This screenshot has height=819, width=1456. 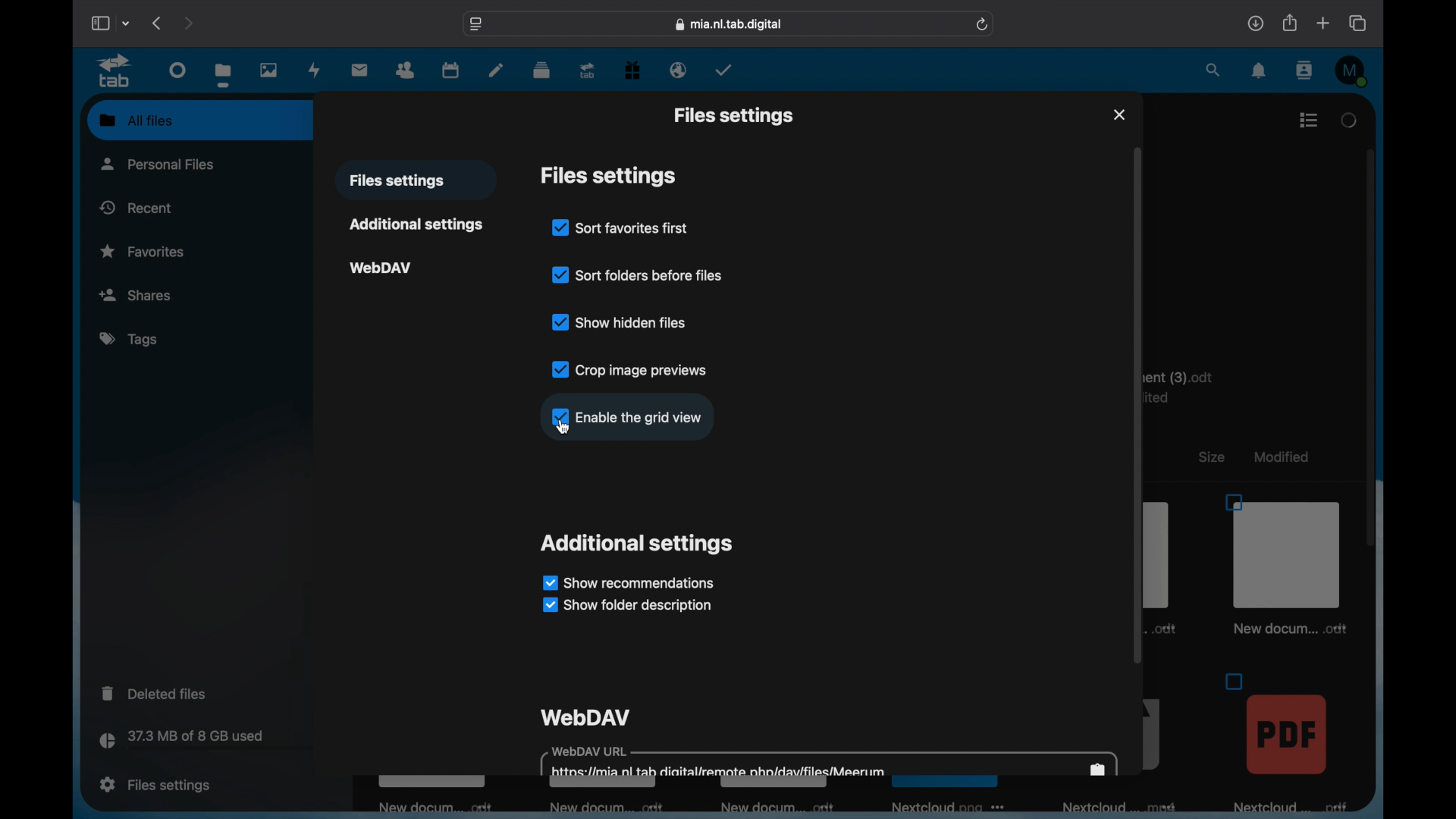 I want to click on sort favorites first, so click(x=620, y=227).